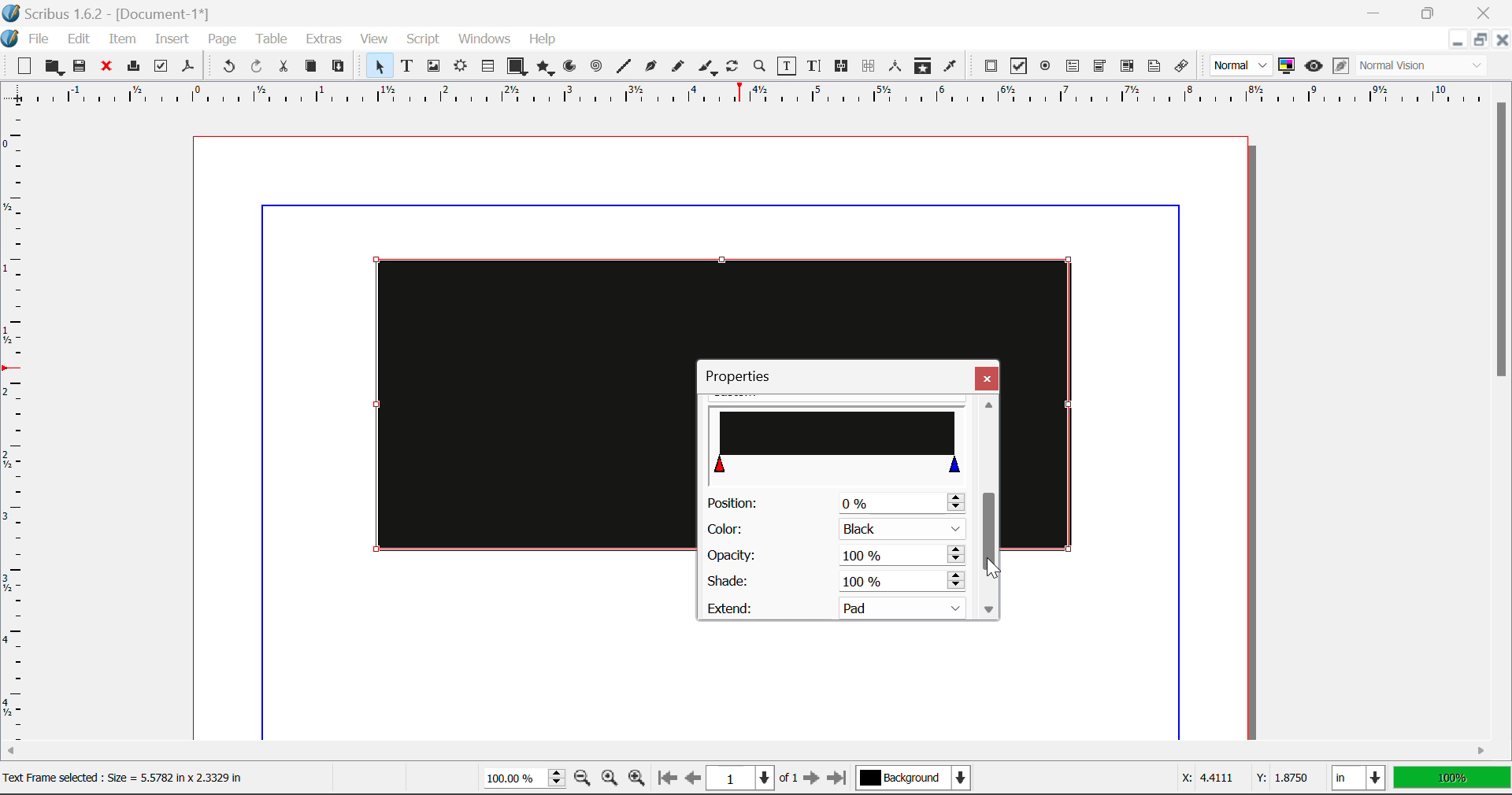 This screenshot has height=795, width=1512. Describe the element at coordinates (374, 39) in the screenshot. I see `View` at that location.